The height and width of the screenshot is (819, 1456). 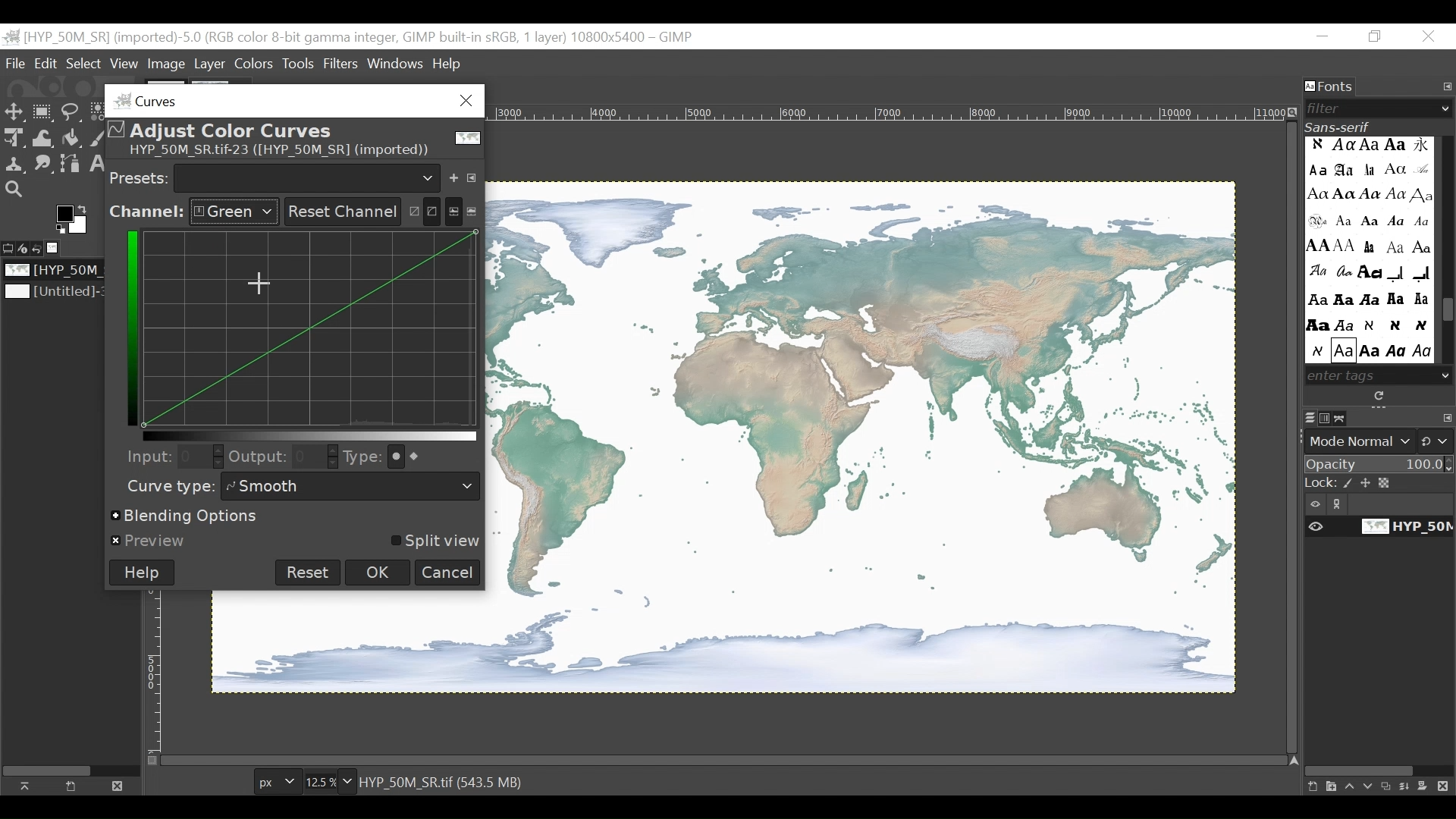 I want to click on Blending Options, so click(x=187, y=517).